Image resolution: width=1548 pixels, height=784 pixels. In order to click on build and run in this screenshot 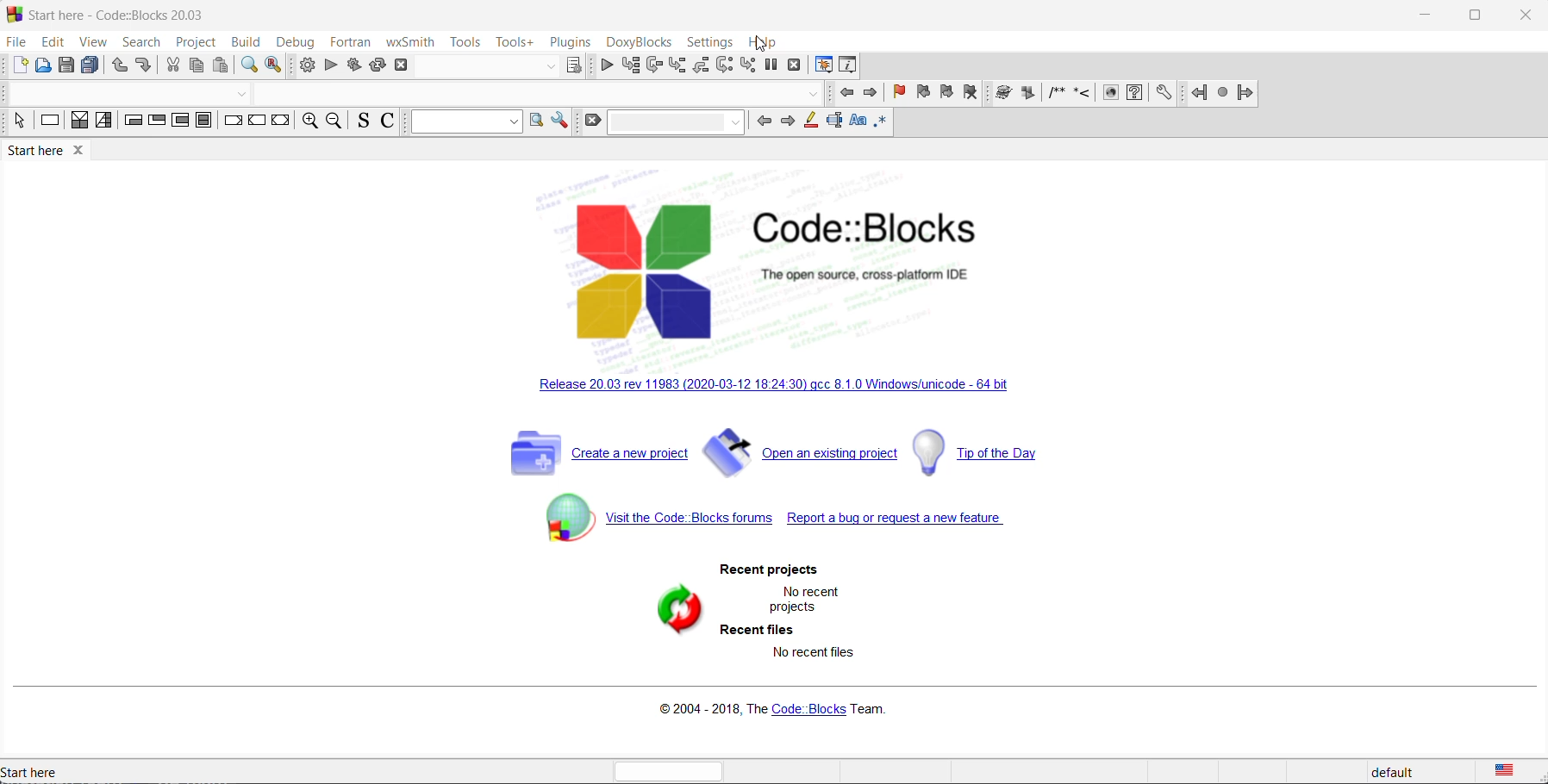, I will do `click(353, 66)`.